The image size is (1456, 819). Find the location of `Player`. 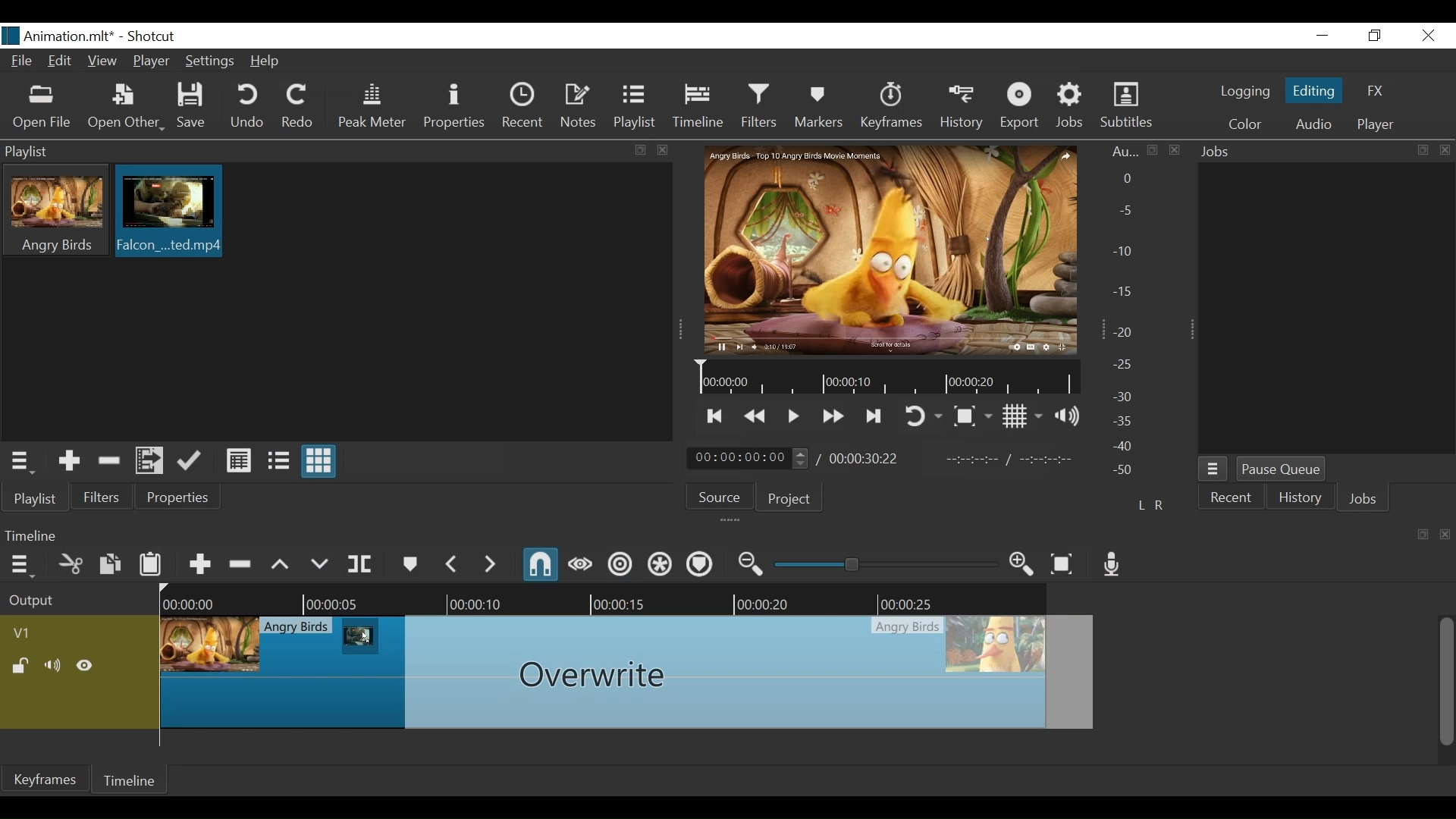

Player is located at coordinates (1375, 125).